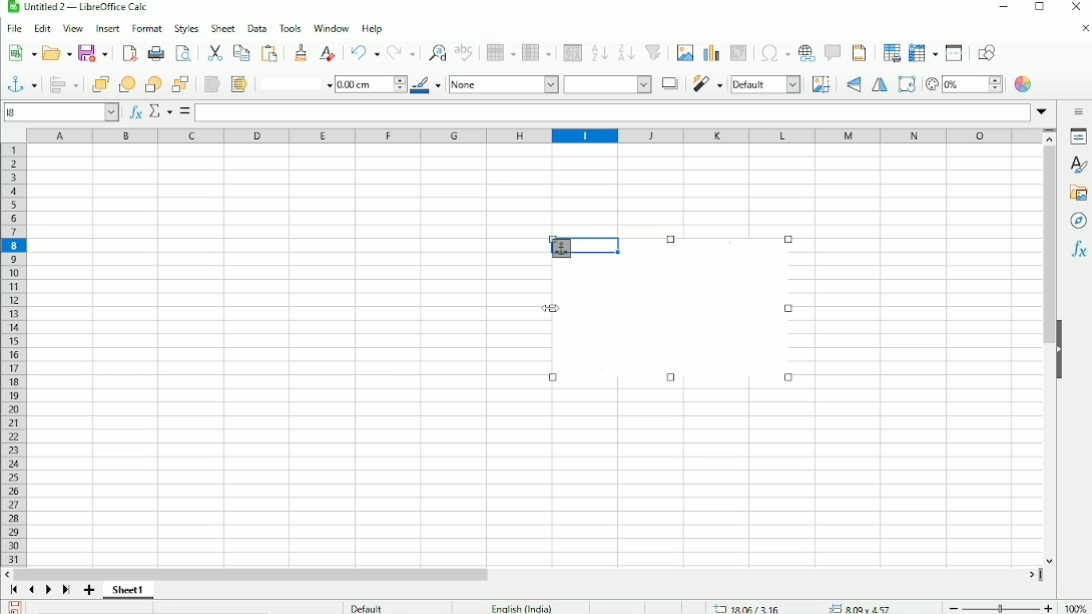  I want to click on Default, so click(366, 606).